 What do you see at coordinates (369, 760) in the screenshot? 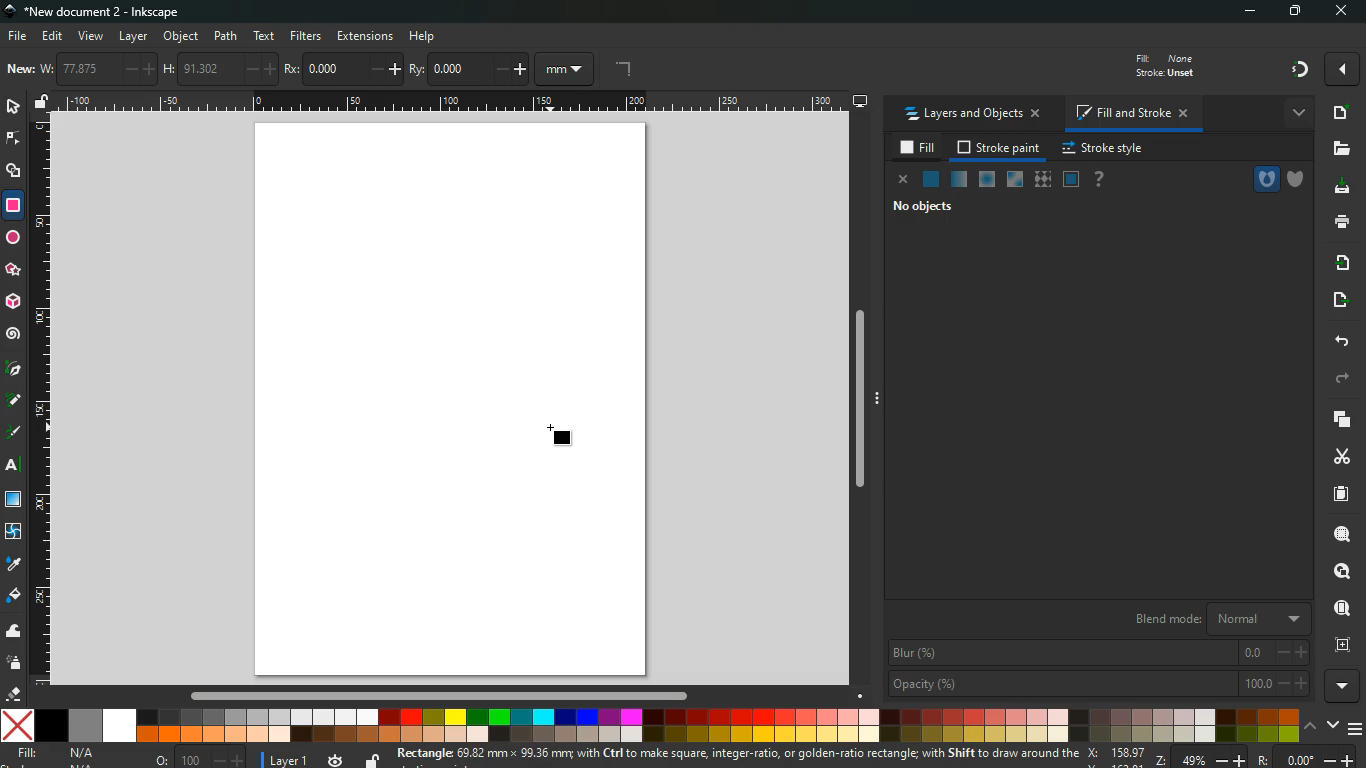
I see `unlock` at bounding box center [369, 760].